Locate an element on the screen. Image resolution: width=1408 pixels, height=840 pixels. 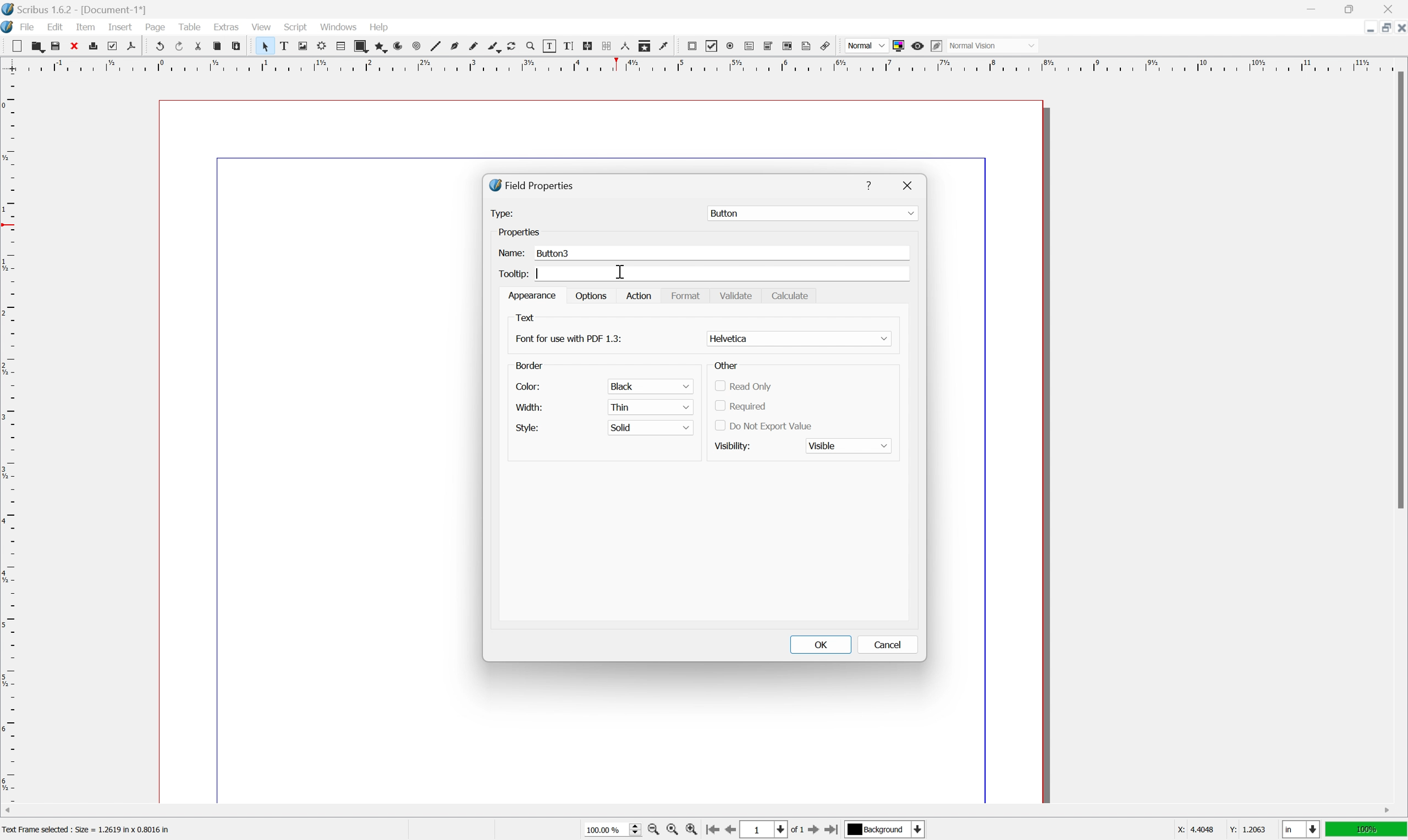
text frame is located at coordinates (284, 47).